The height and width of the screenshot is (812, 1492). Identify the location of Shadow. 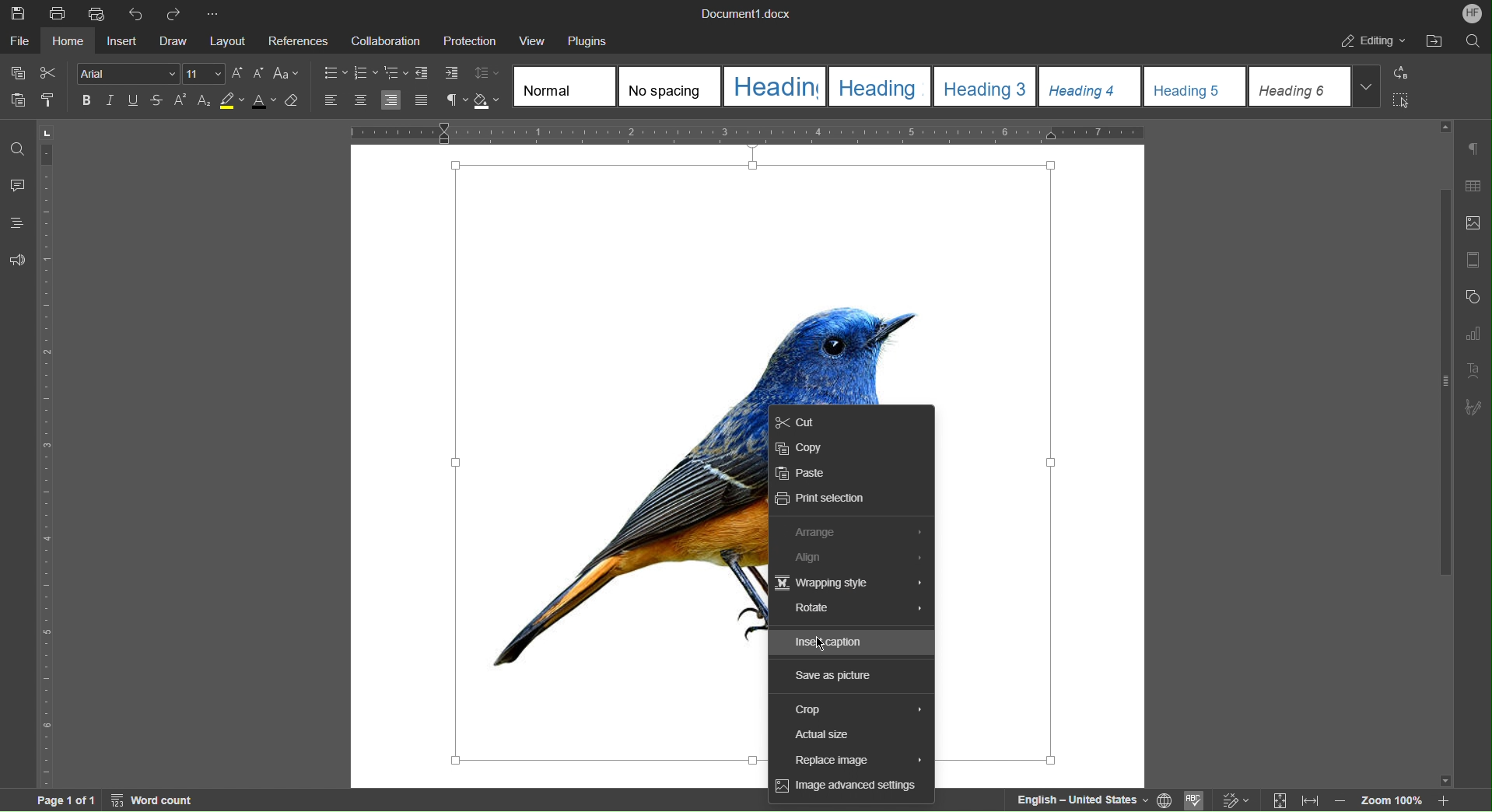
(489, 100).